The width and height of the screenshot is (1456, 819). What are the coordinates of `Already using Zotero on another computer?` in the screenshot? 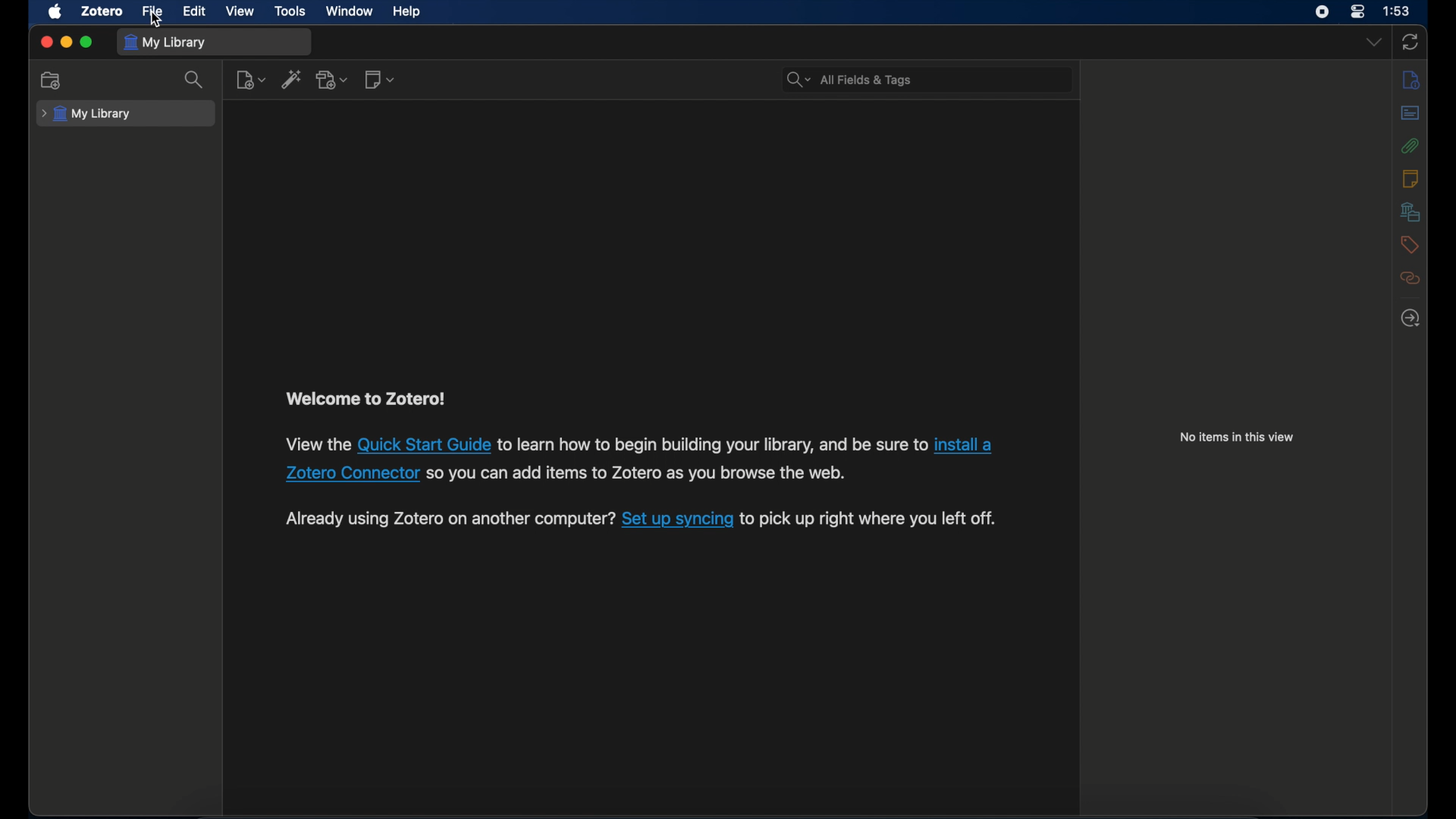 It's located at (450, 518).